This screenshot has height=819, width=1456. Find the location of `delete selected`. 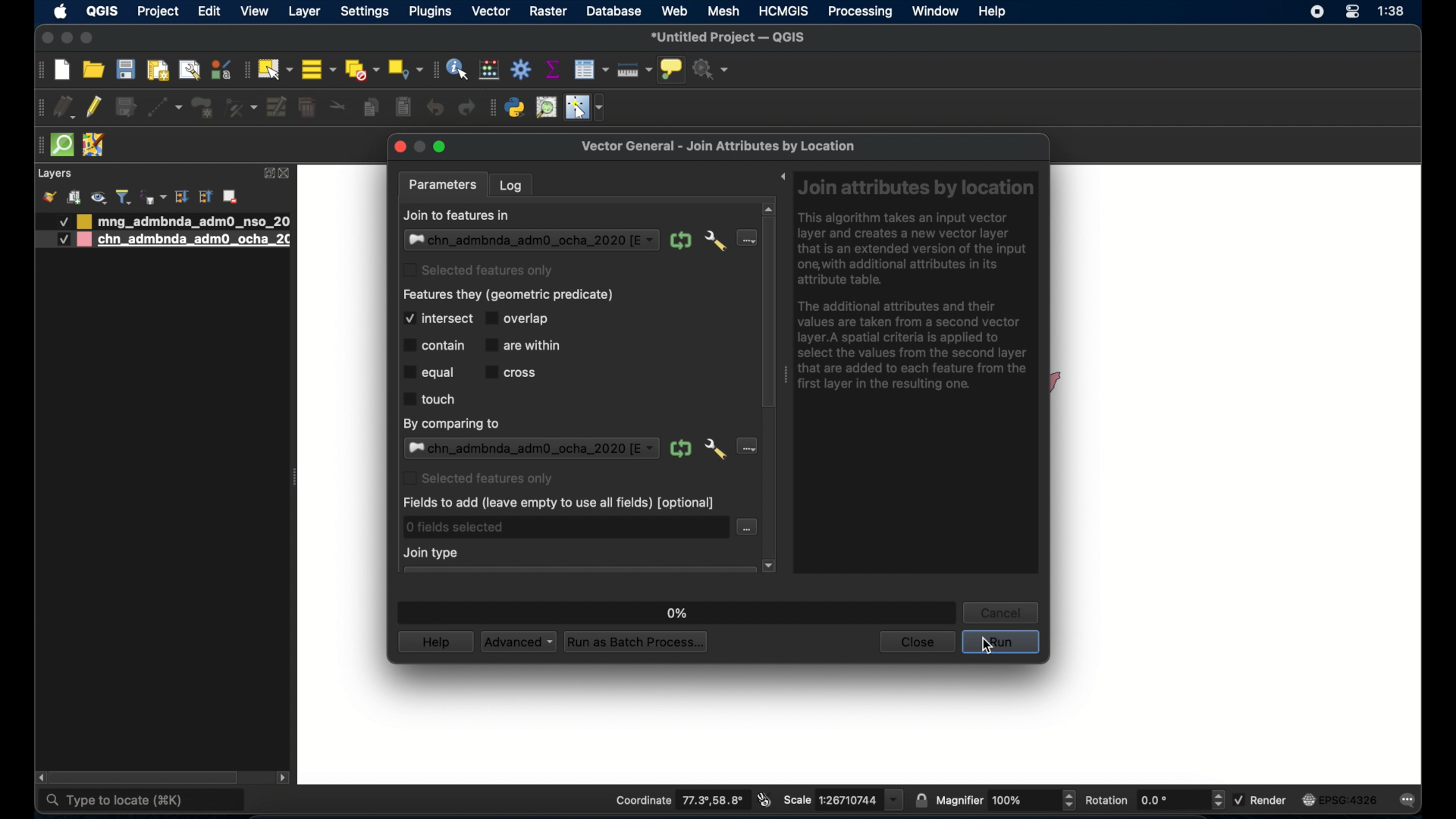

delete selected is located at coordinates (307, 108).